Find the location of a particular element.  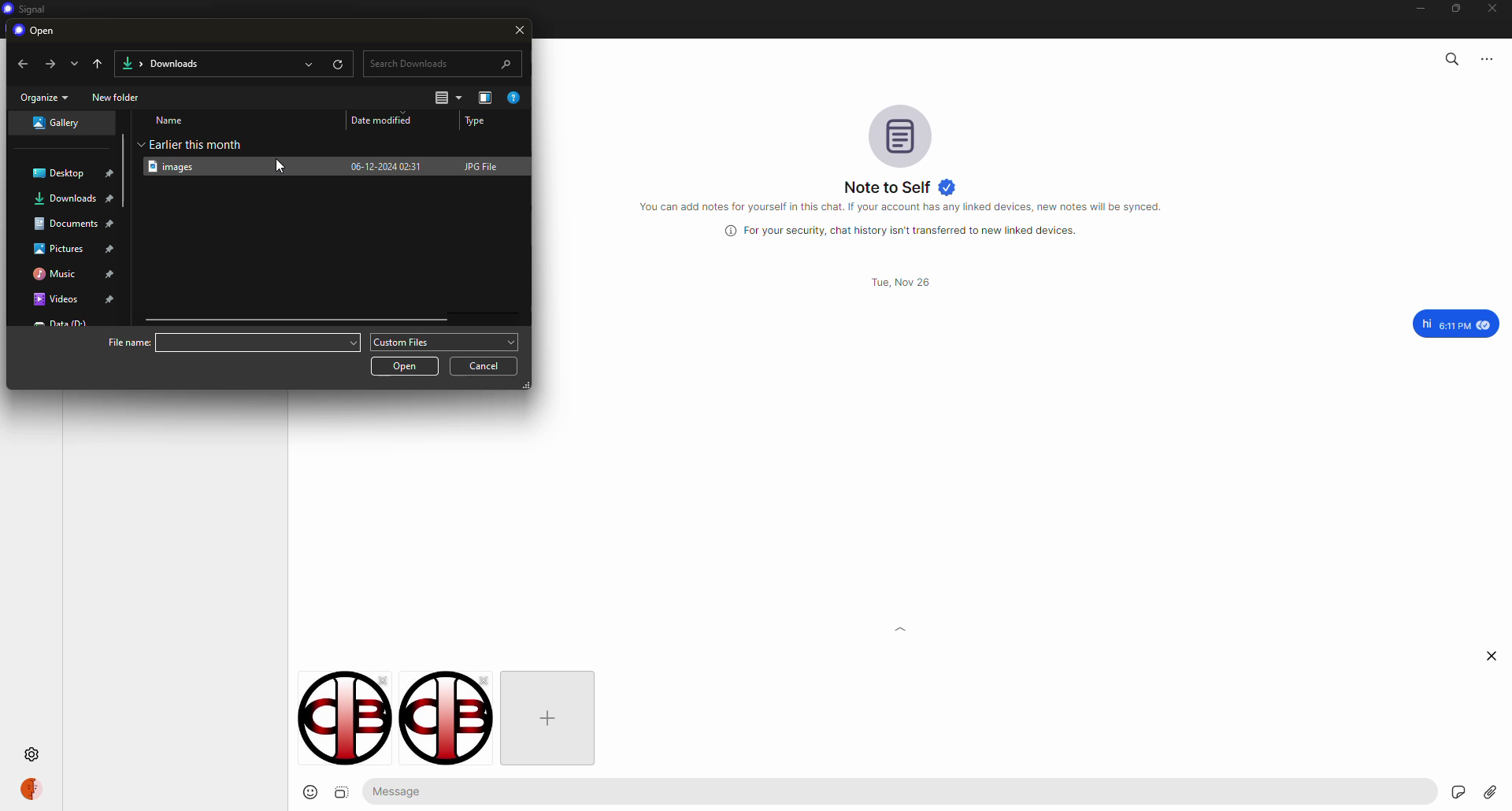

info is located at coordinates (906, 231).